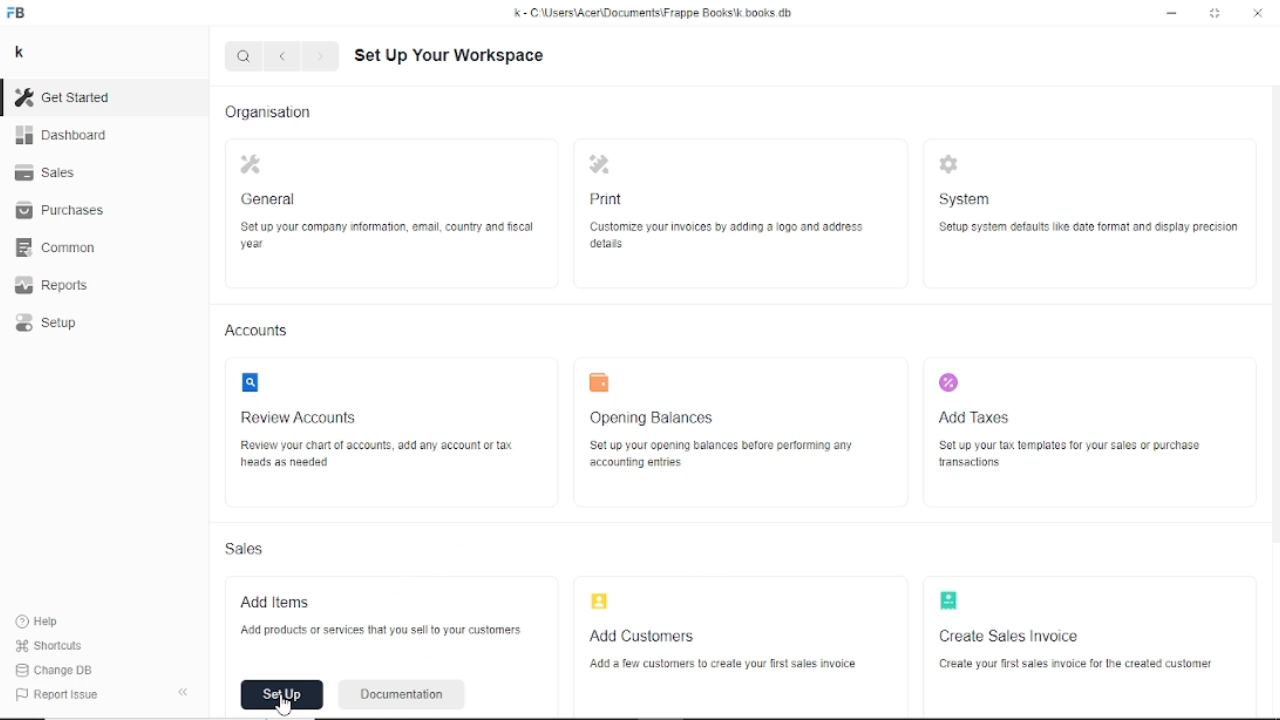 This screenshot has height=720, width=1280. What do you see at coordinates (727, 434) in the screenshot?
I see `Opening Balances     Set up your opening balances performing any accounting entries.` at bounding box center [727, 434].